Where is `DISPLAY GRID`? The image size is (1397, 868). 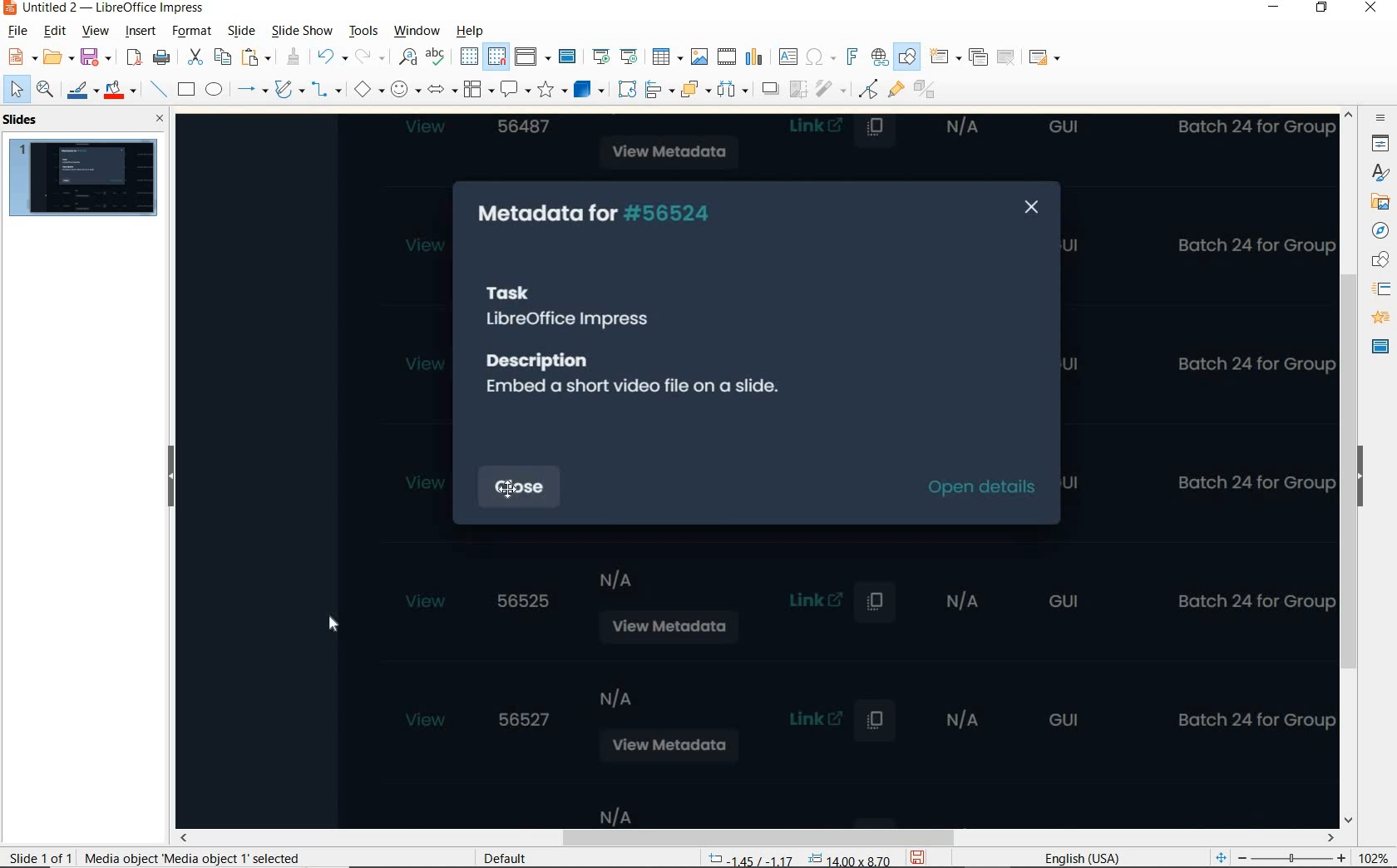 DISPLAY GRID is located at coordinates (469, 56).